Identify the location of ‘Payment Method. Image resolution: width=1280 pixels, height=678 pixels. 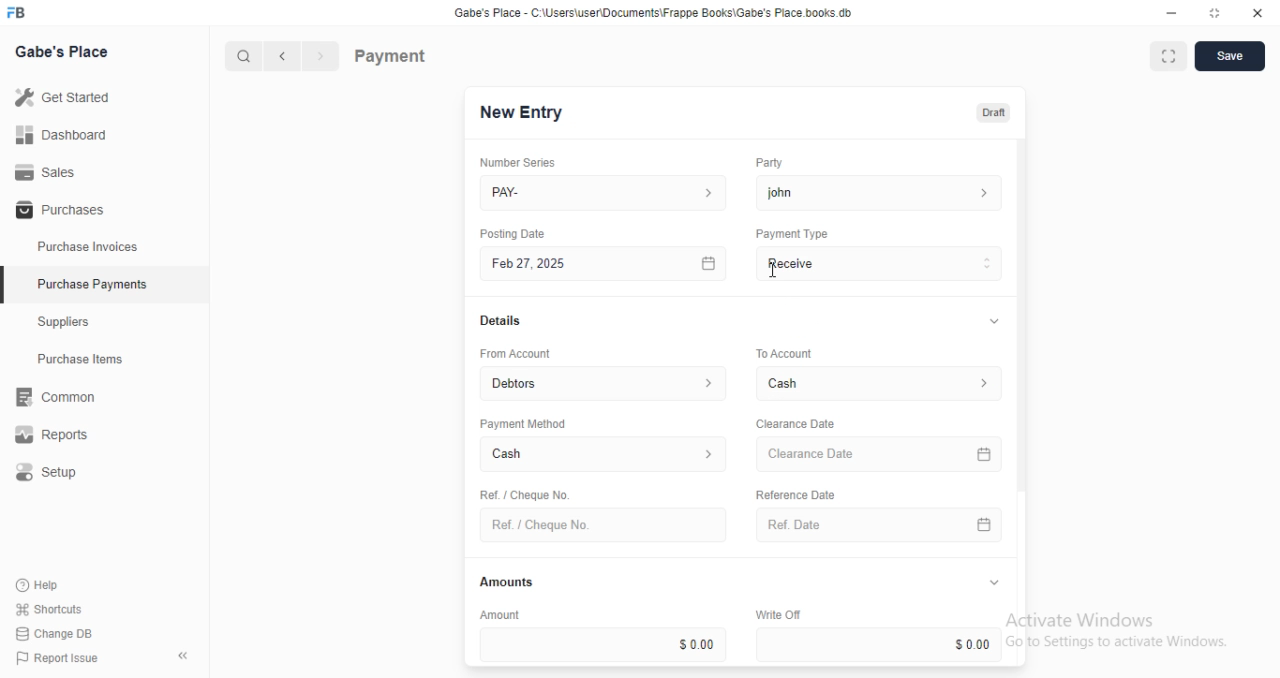
(522, 423).